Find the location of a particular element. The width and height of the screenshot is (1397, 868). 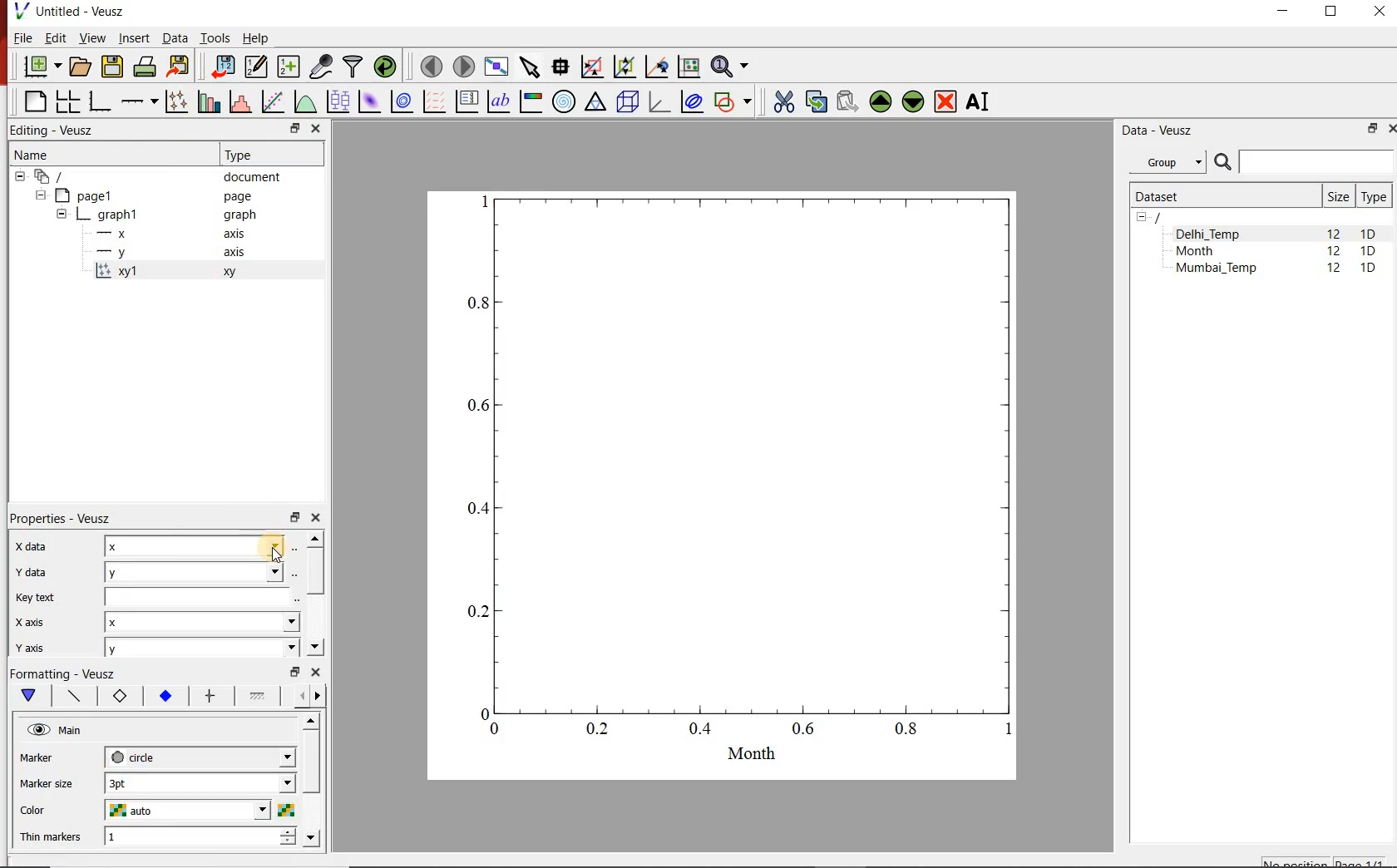

plot bar charts is located at coordinates (206, 102).